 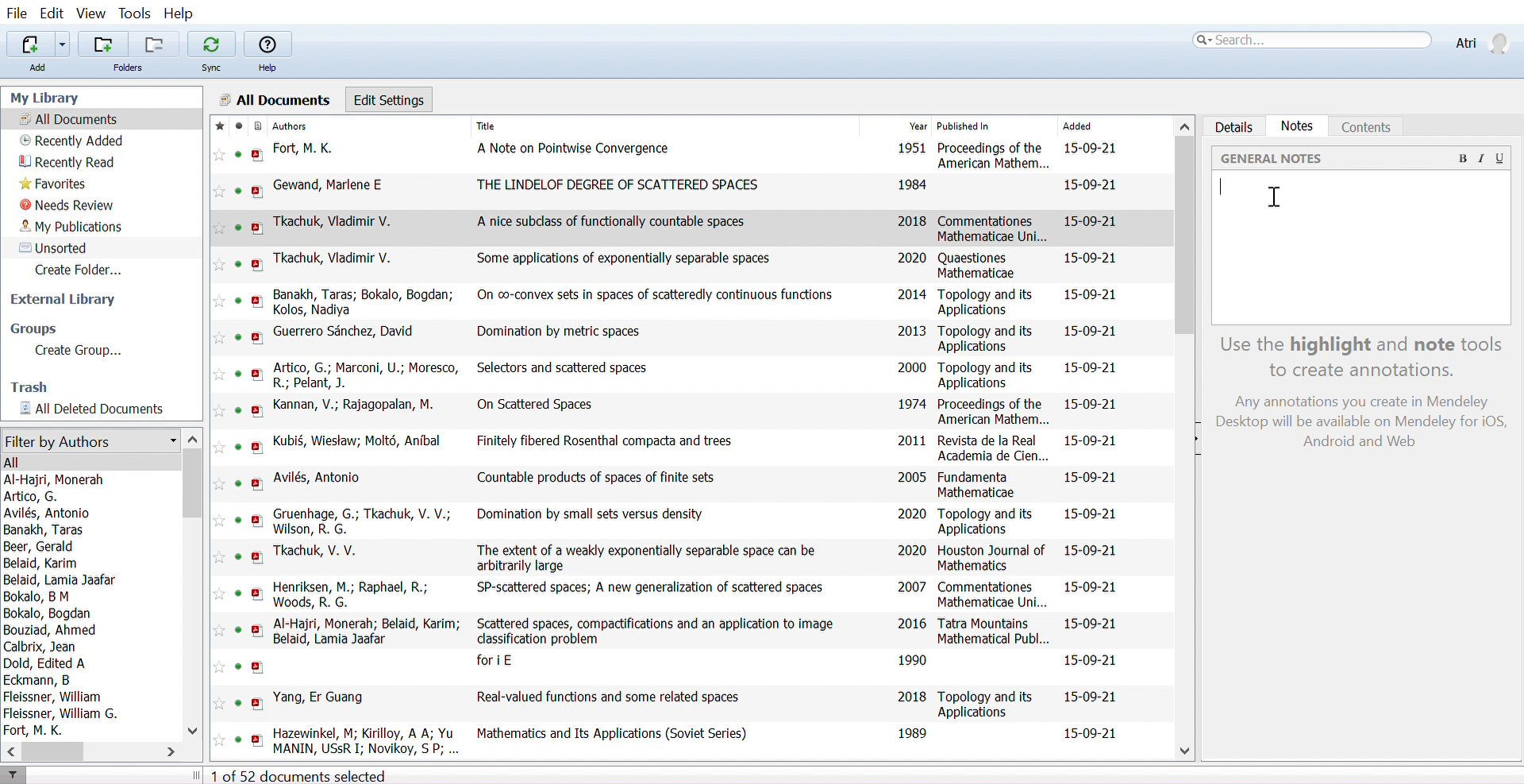 What do you see at coordinates (273, 98) in the screenshot?
I see `All Documents` at bounding box center [273, 98].